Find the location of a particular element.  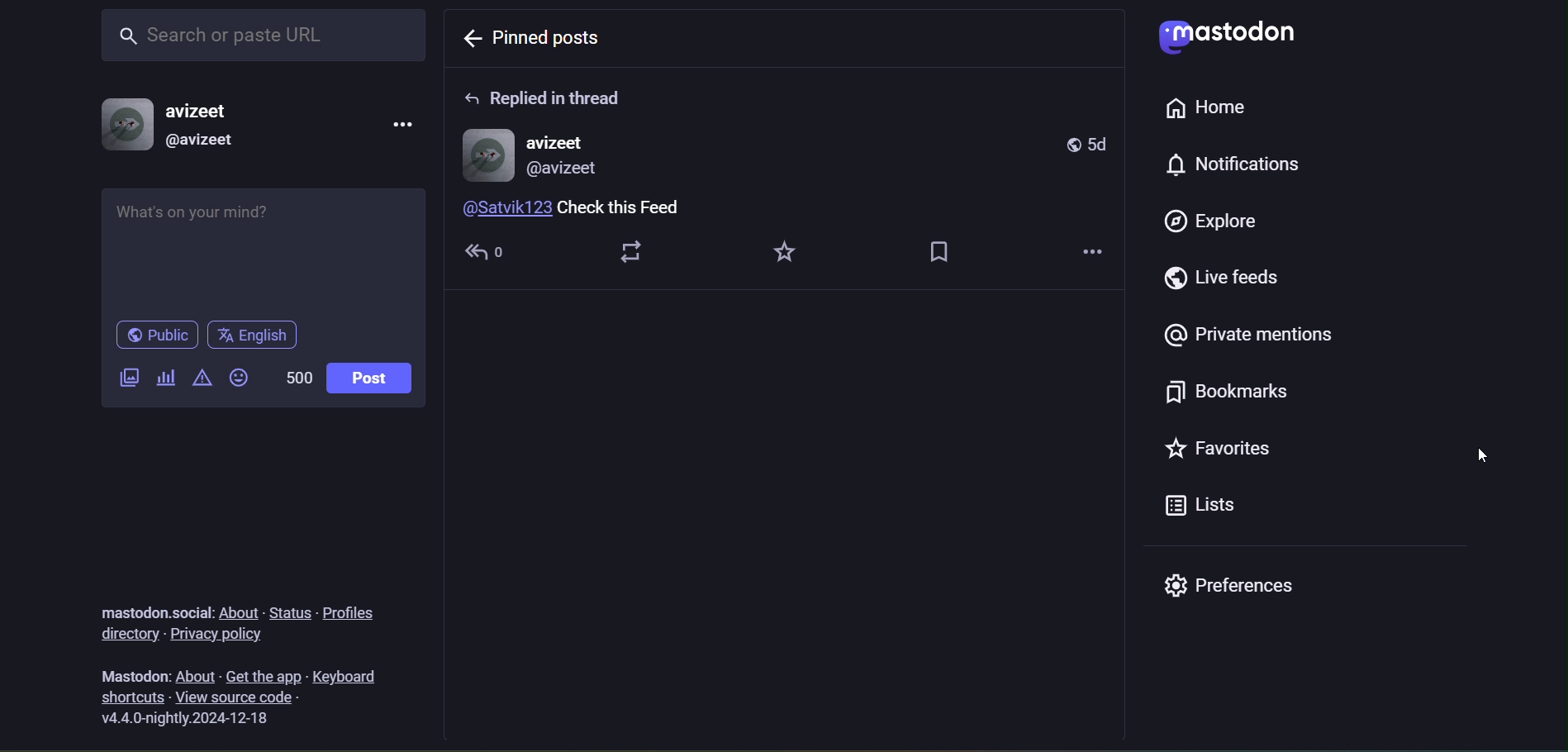

about is located at coordinates (195, 674).